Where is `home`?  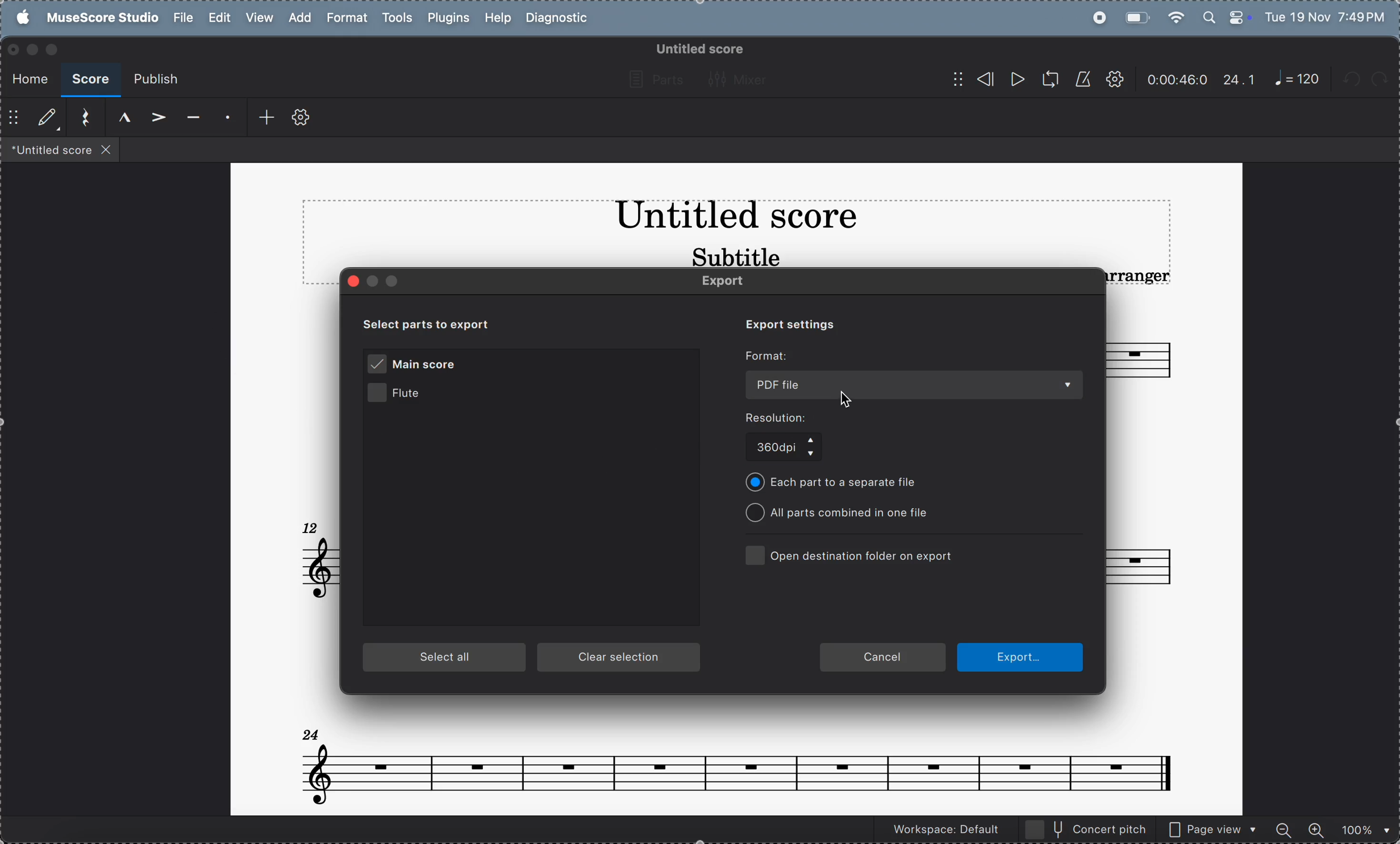 home is located at coordinates (27, 77).